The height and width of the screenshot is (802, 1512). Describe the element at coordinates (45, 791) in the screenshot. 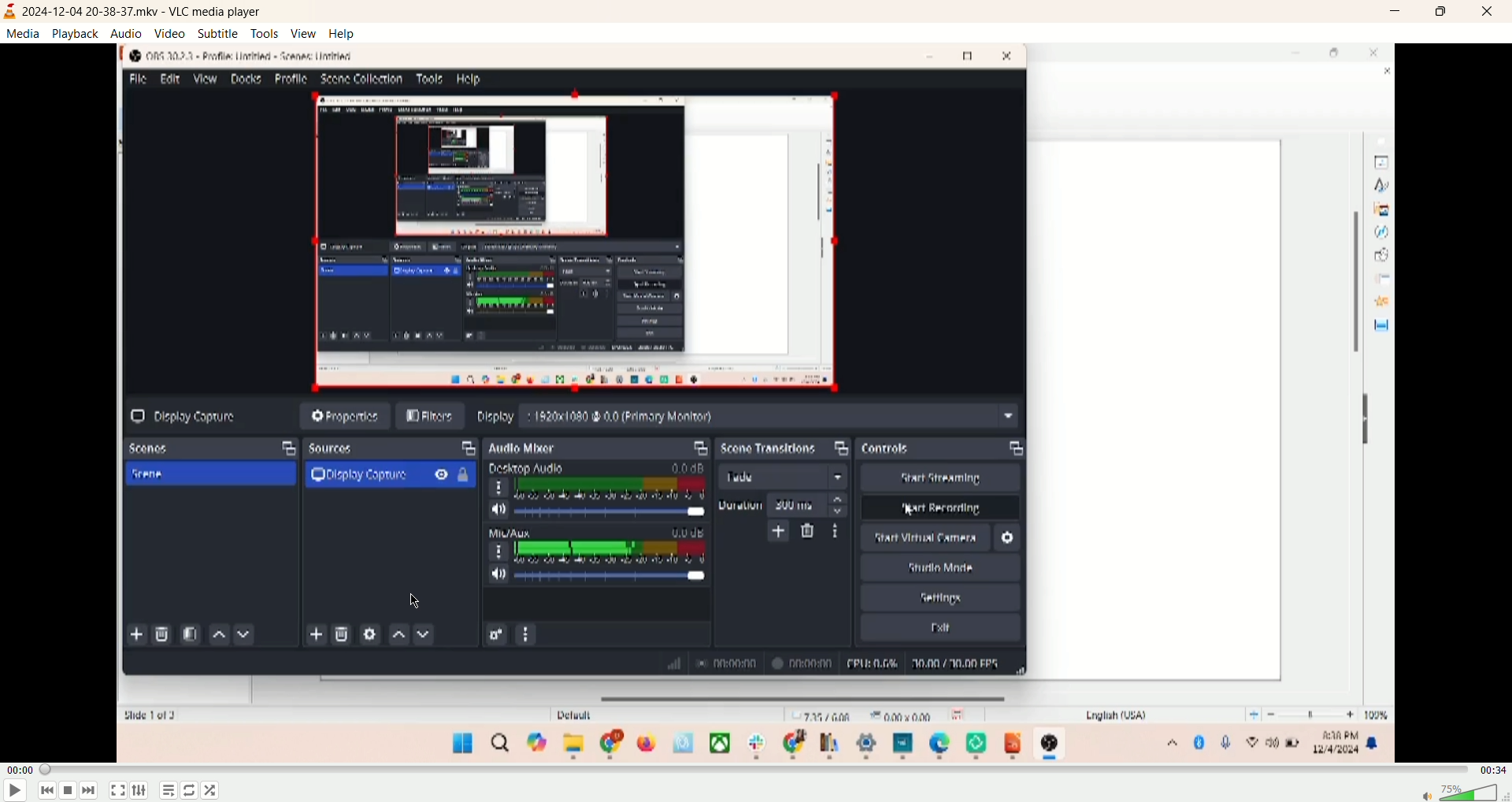

I see `previous` at that location.